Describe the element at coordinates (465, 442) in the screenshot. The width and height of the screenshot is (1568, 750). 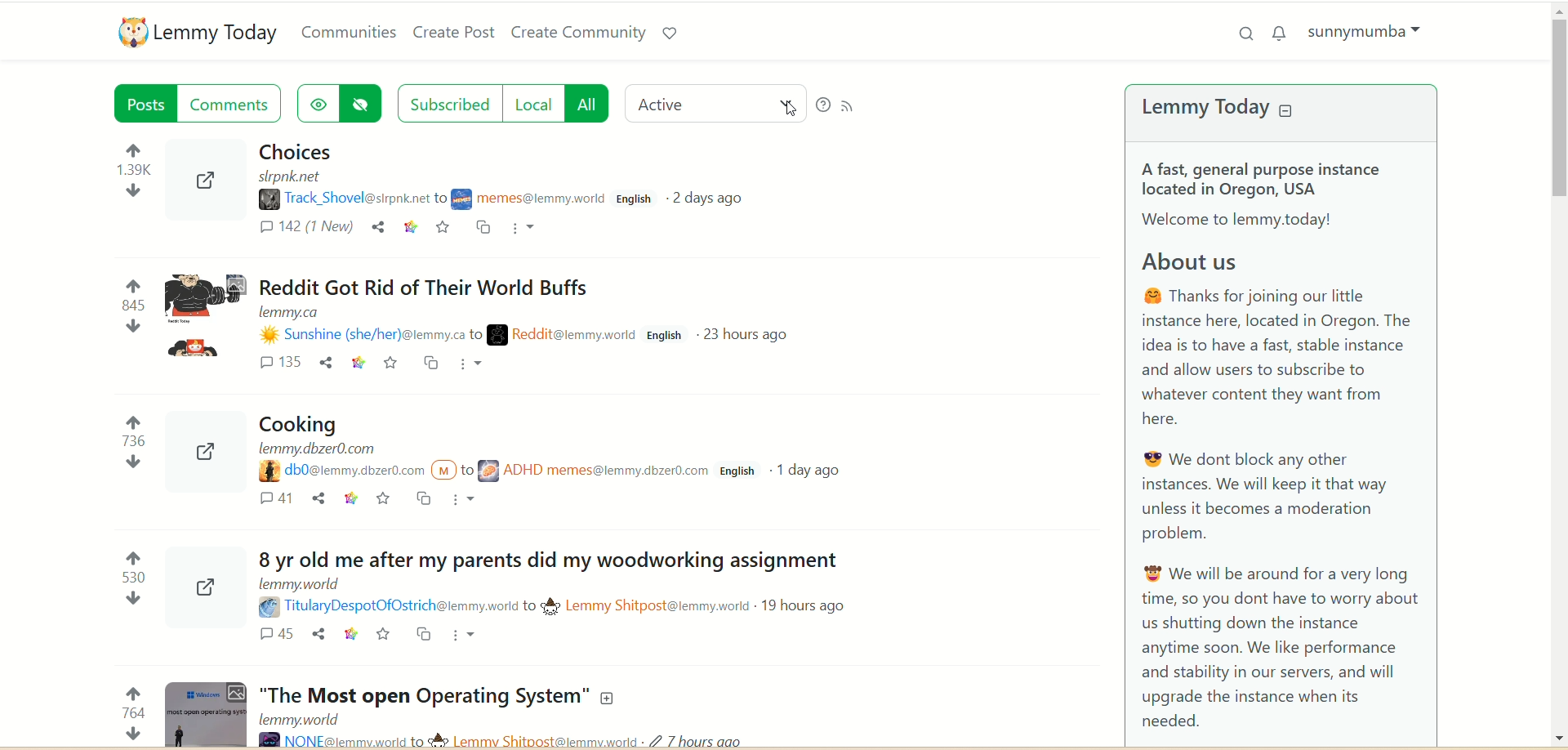
I see `Post on cooking` at that location.